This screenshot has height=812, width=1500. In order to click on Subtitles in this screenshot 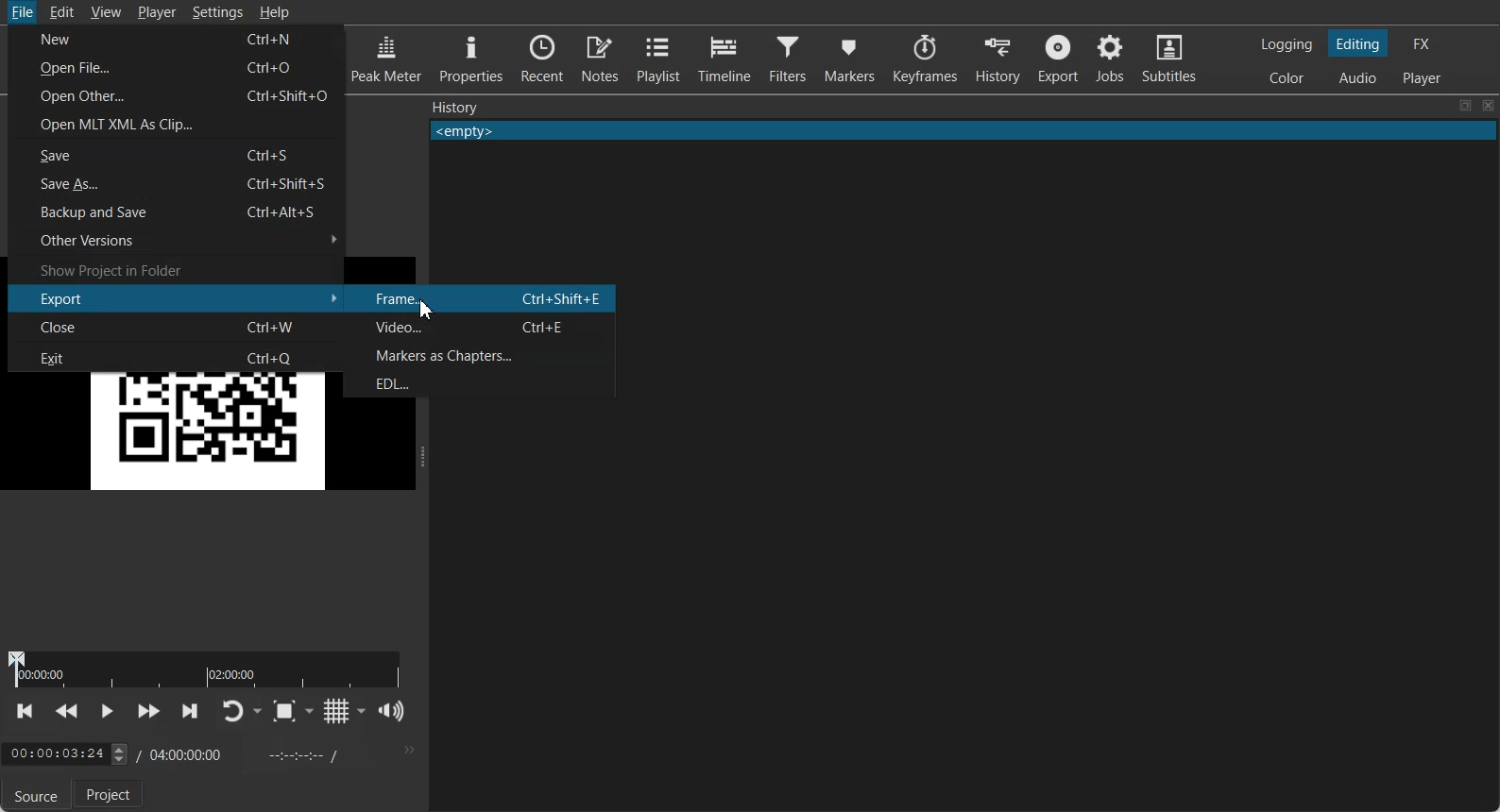, I will do `click(1169, 57)`.